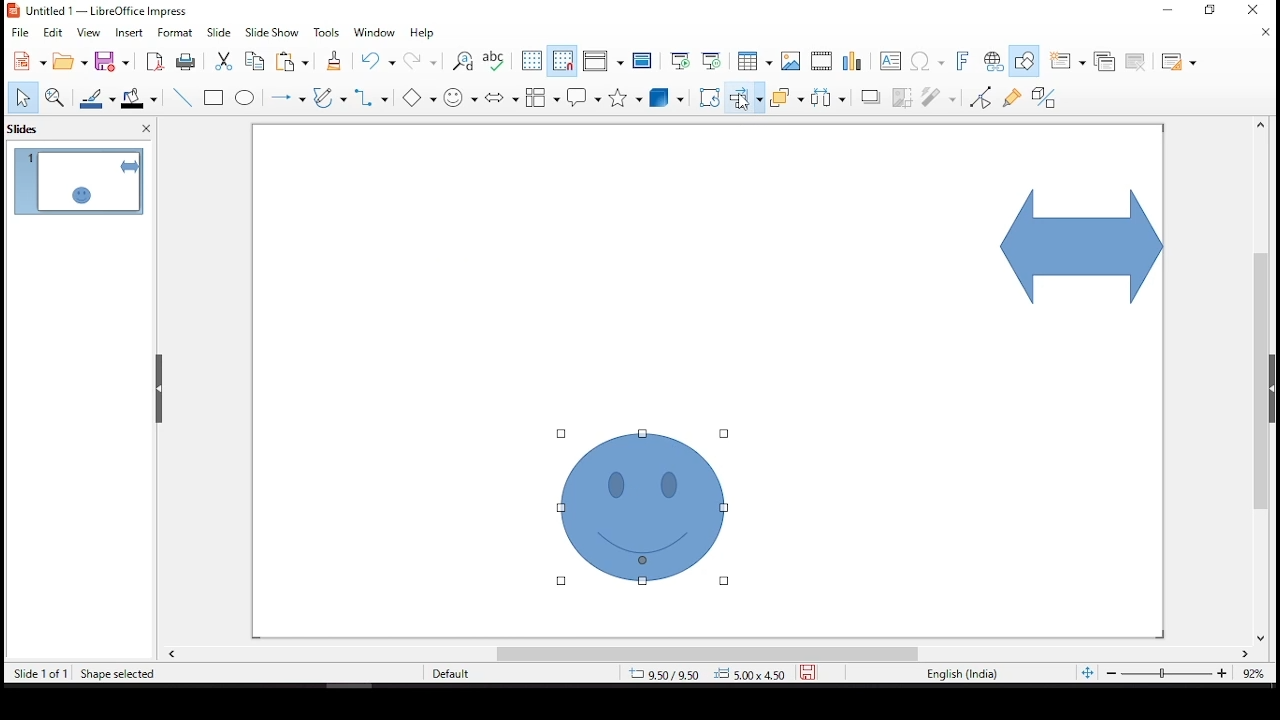 This screenshot has width=1280, height=720. Describe the element at coordinates (891, 62) in the screenshot. I see `text box` at that location.